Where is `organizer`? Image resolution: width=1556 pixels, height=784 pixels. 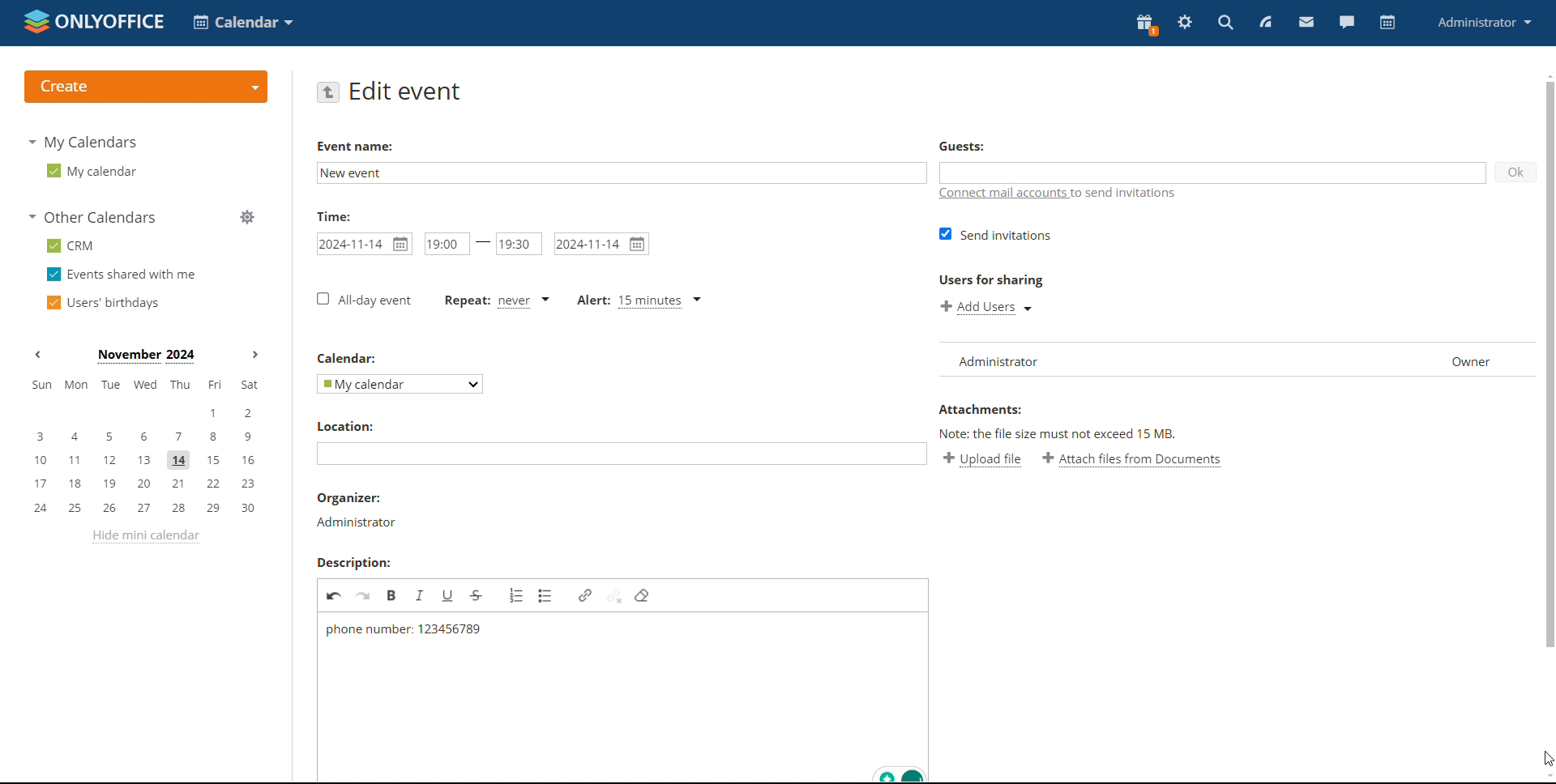
organizer is located at coordinates (349, 498).